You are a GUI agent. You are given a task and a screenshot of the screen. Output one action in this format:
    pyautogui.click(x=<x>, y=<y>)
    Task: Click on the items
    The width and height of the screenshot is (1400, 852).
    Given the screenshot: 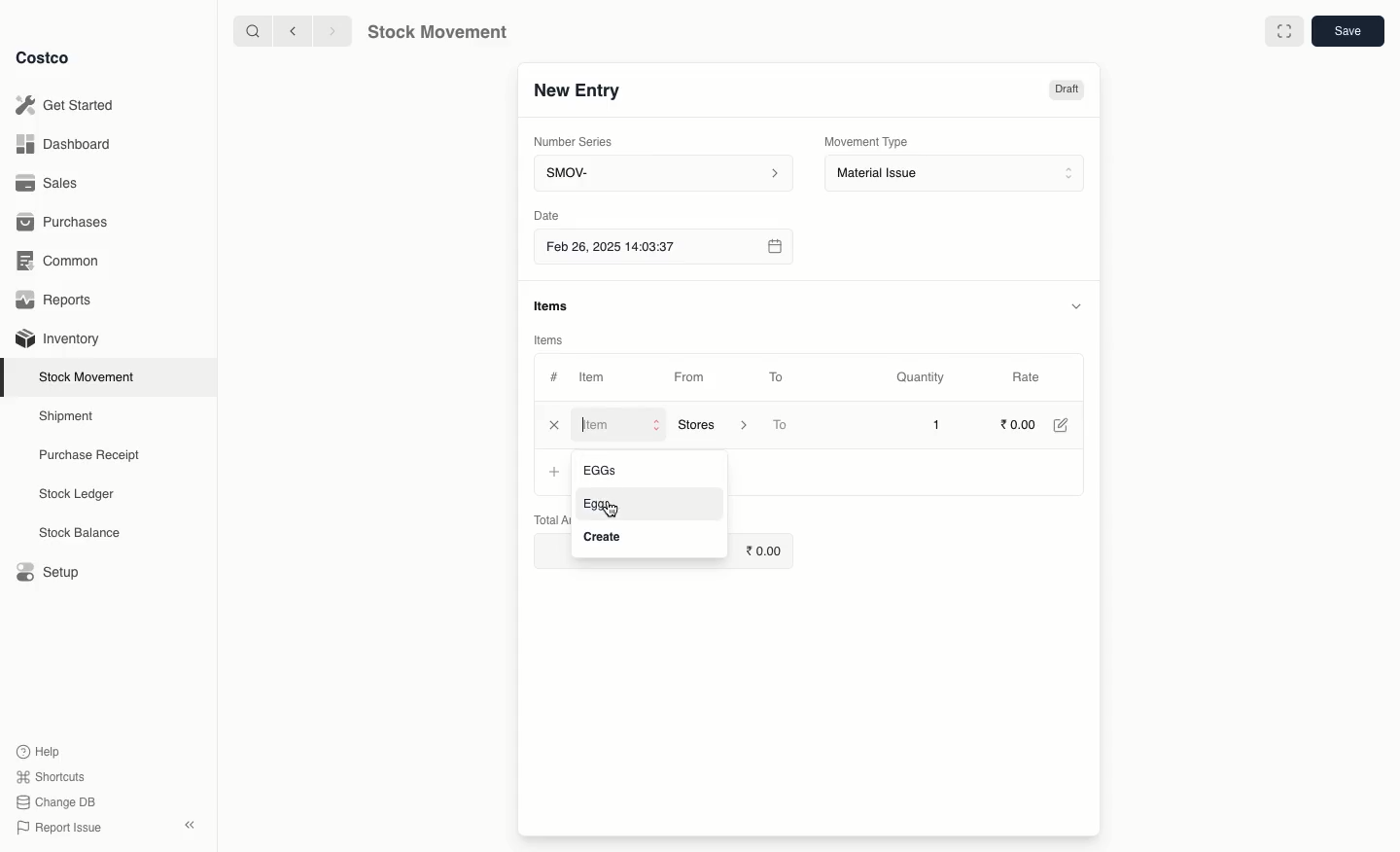 What is the action you would take?
    pyautogui.click(x=553, y=306)
    